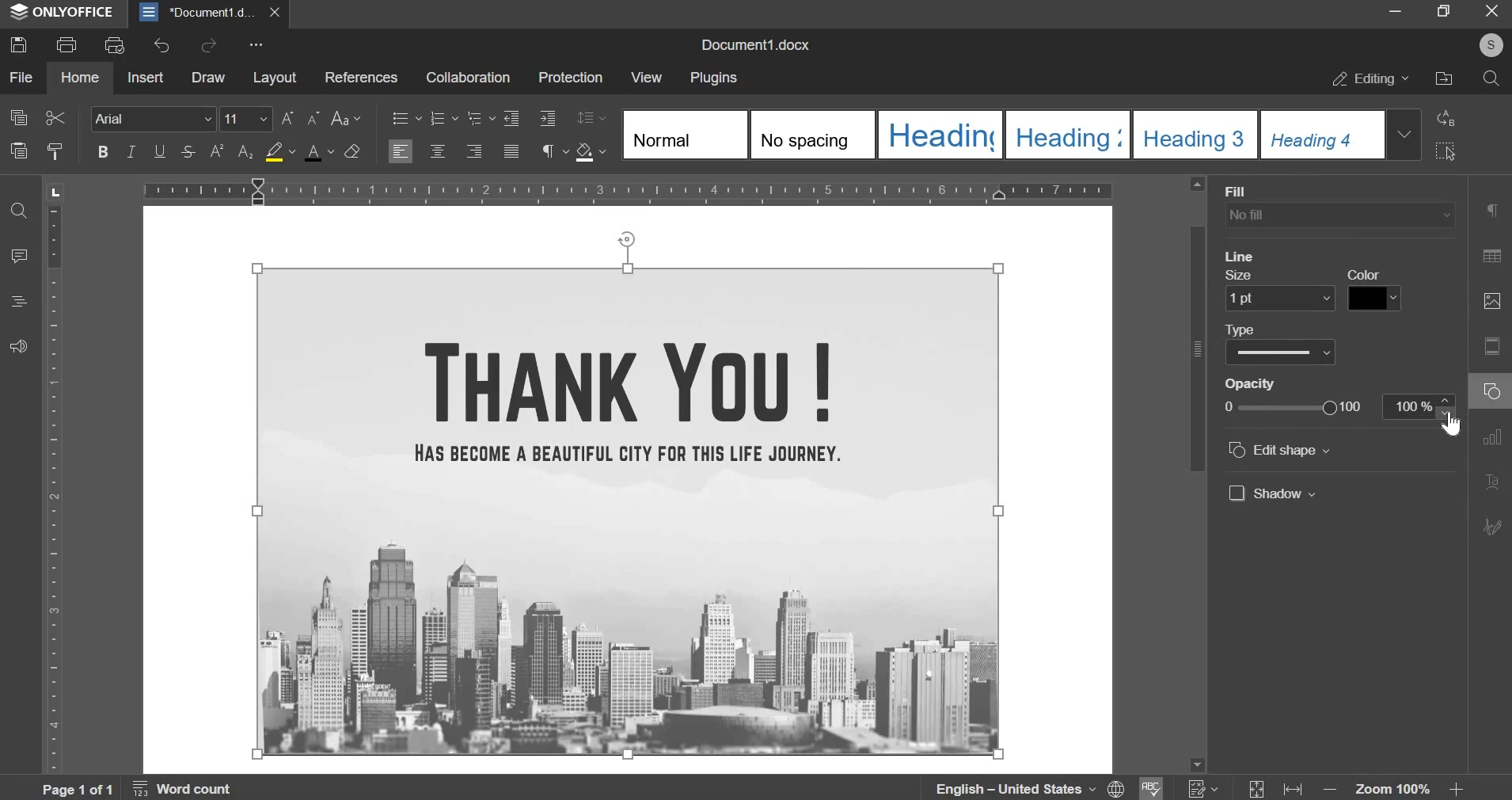 Image resolution: width=1512 pixels, height=800 pixels. I want to click on find, so click(19, 208).